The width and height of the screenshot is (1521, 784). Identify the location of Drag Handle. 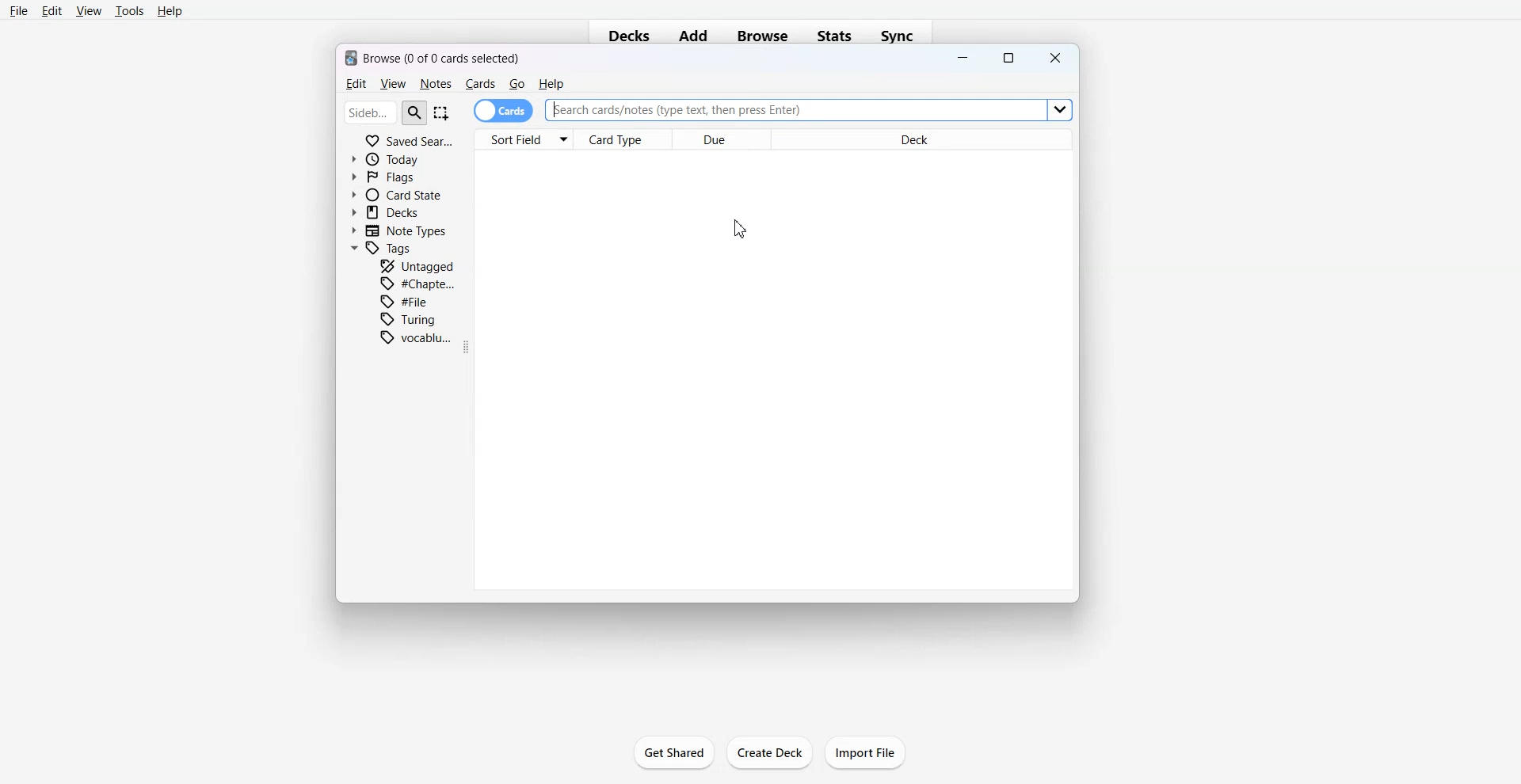
(469, 347).